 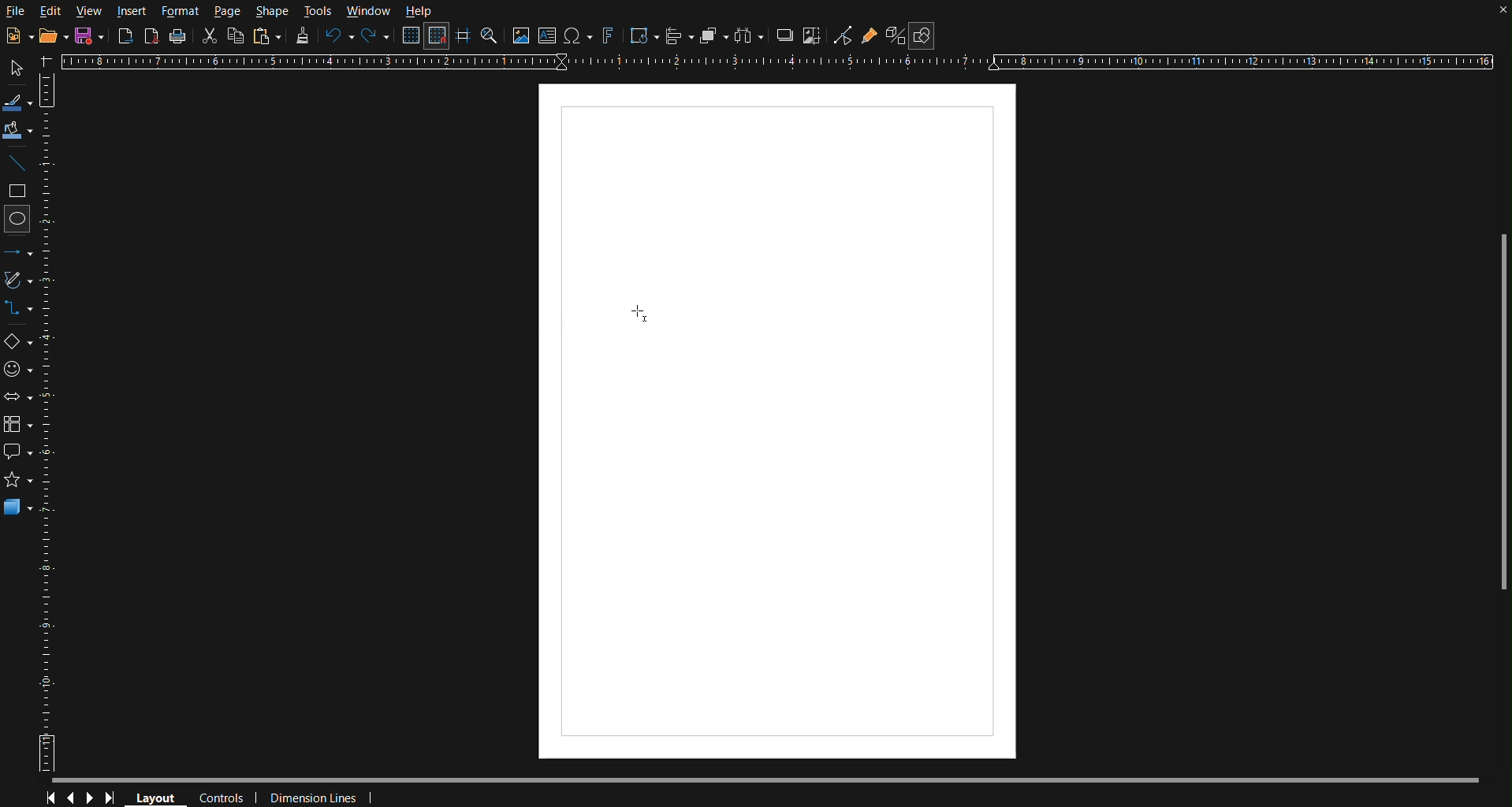 What do you see at coordinates (319, 9) in the screenshot?
I see `Tools` at bounding box center [319, 9].